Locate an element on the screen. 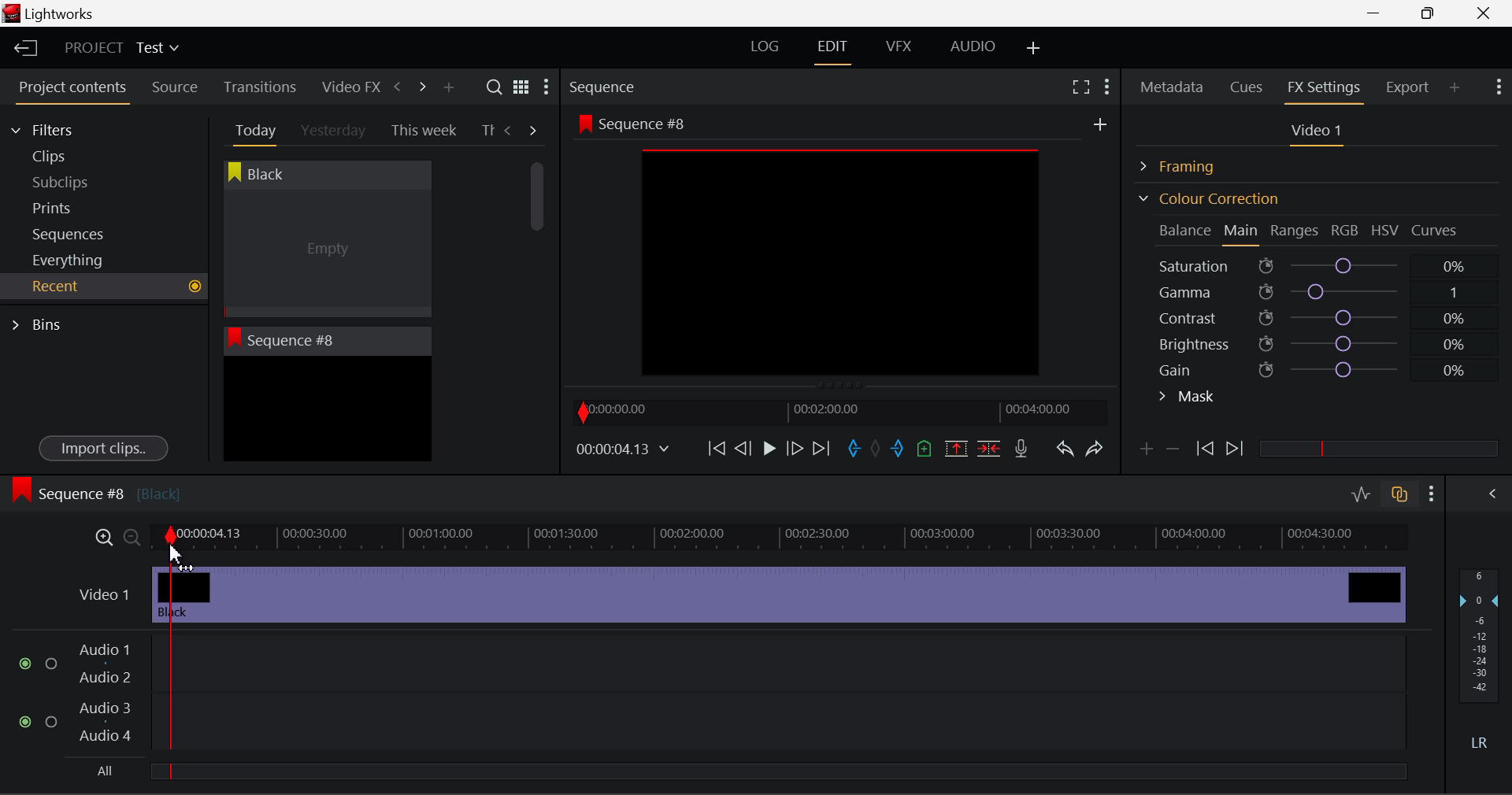  Close is located at coordinates (1487, 13).